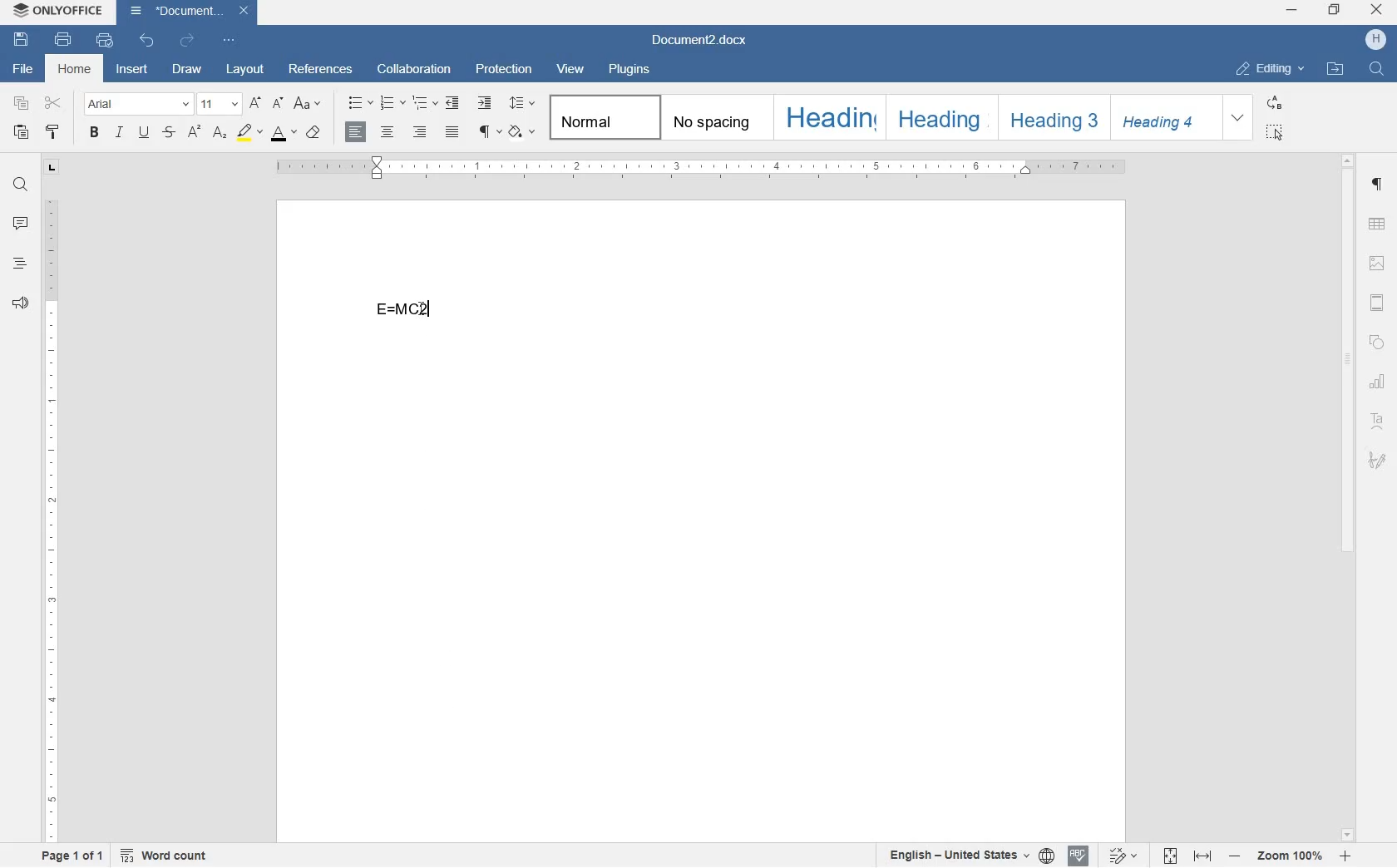 The width and height of the screenshot is (1397, 868). Describe the element at coordinates (22, 105) in the screenshot. I see `copy` at that location.